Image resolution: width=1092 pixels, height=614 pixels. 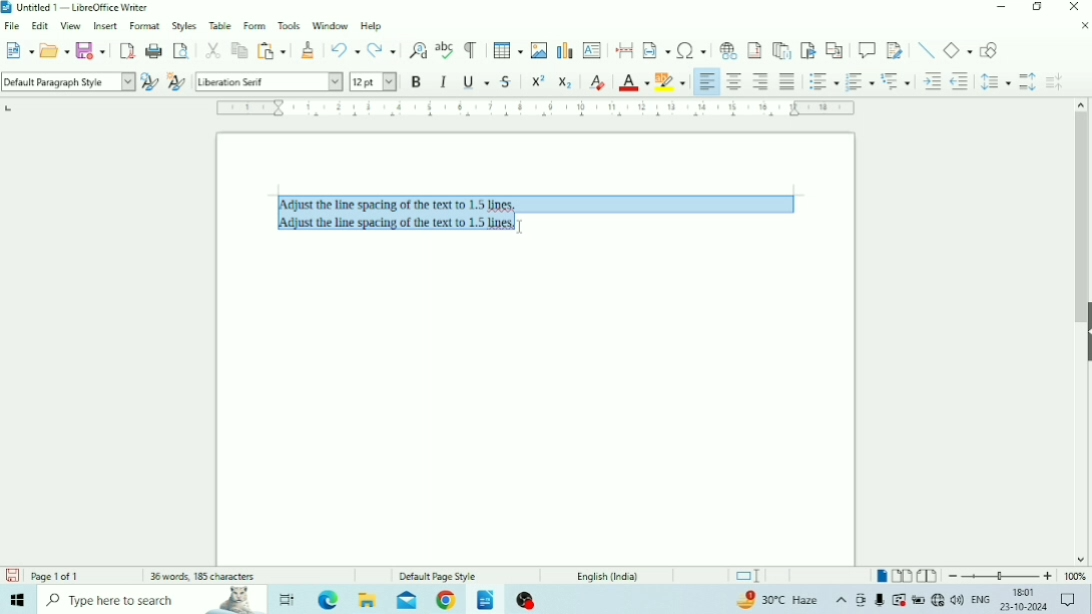 I want to click on Bold, so click(x=417, y=82).